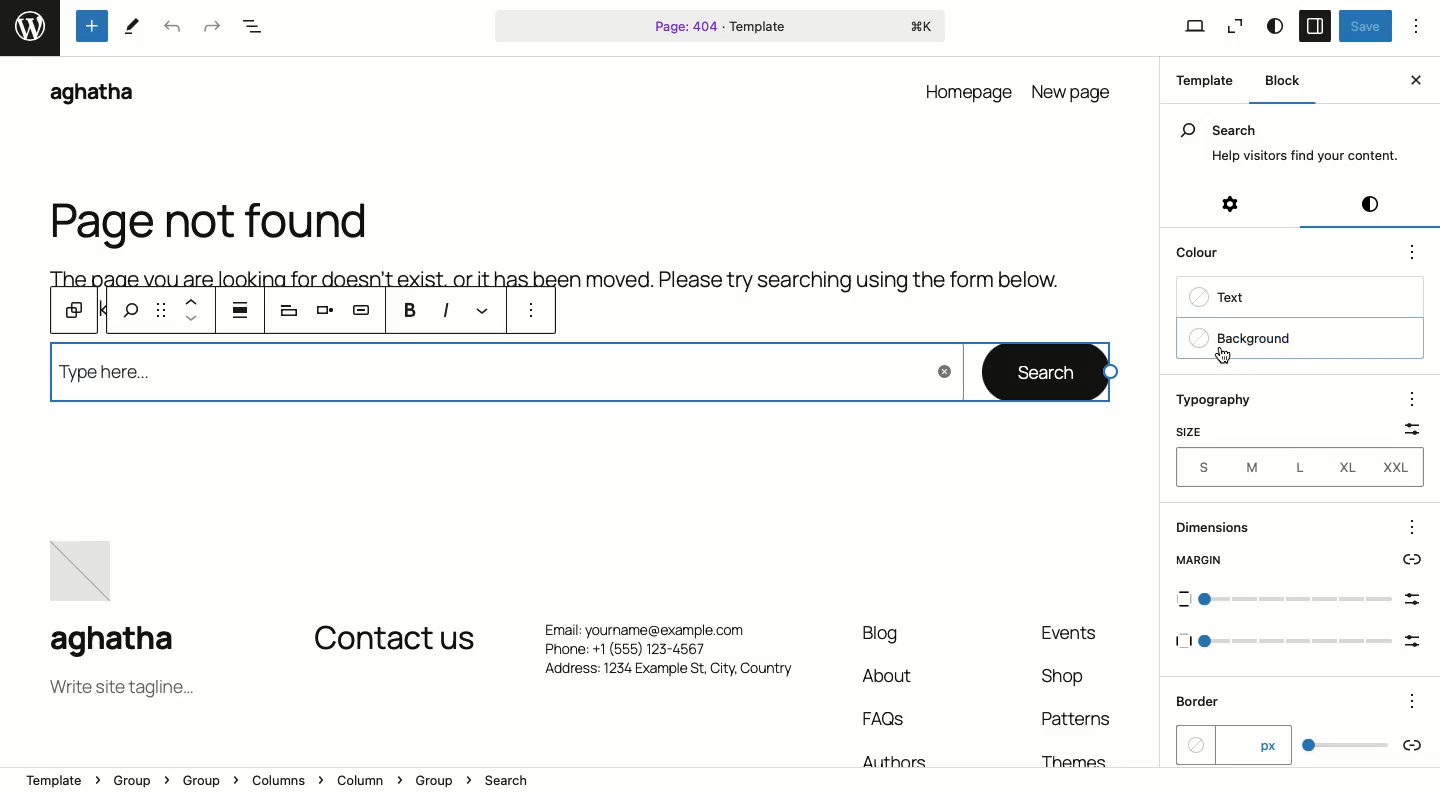 Image resolution: width=1440 pixels, height=792 pixels. Describe the element at coordinates (1071, 634) in the screenshot. I see `Events` at that location.